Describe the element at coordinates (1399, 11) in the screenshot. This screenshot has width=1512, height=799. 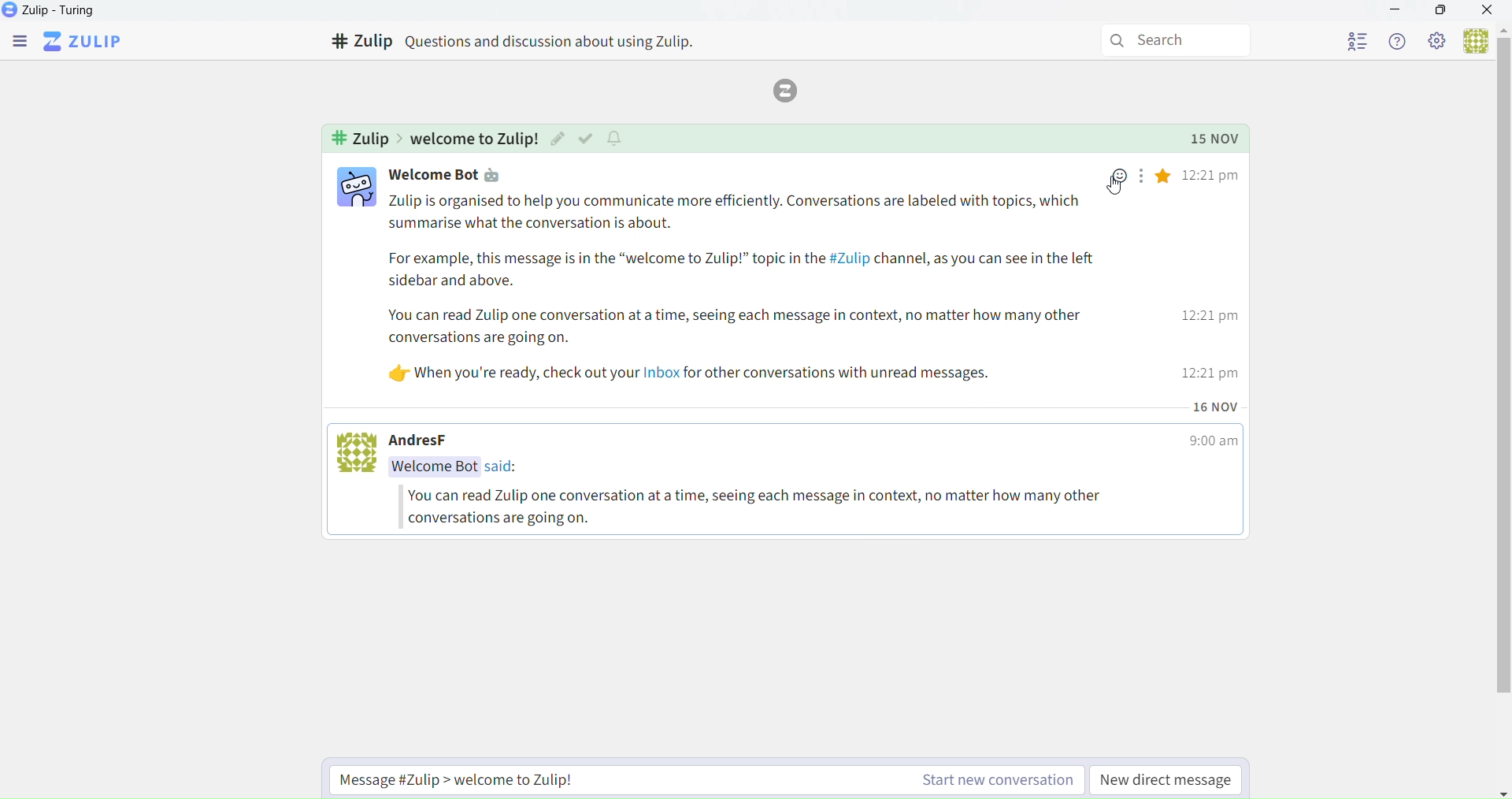
I see `Minimize` at that location.